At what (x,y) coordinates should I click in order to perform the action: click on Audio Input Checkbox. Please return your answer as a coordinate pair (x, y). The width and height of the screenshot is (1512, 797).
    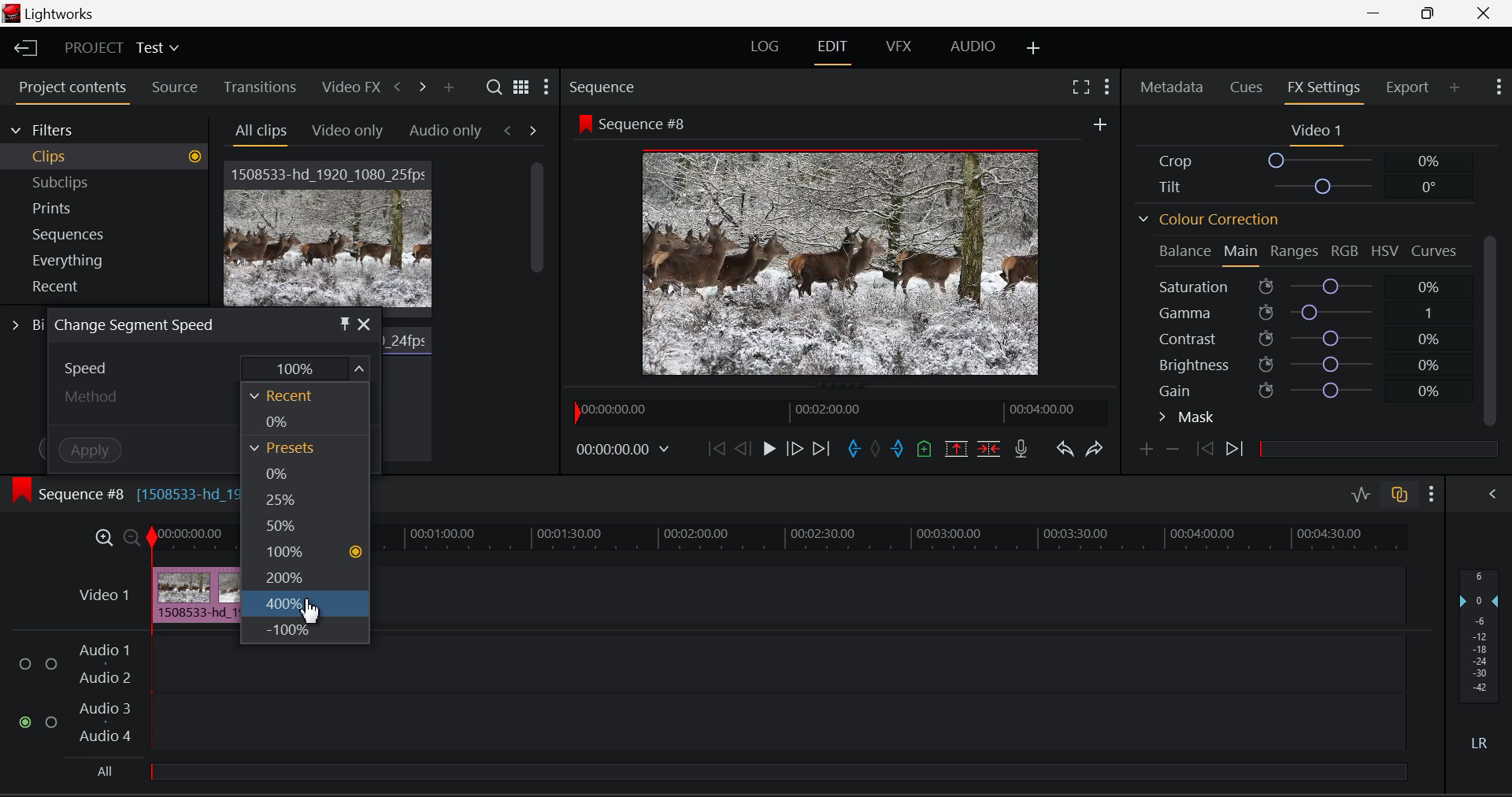
    Looking at the image, I should click on (50, 664).